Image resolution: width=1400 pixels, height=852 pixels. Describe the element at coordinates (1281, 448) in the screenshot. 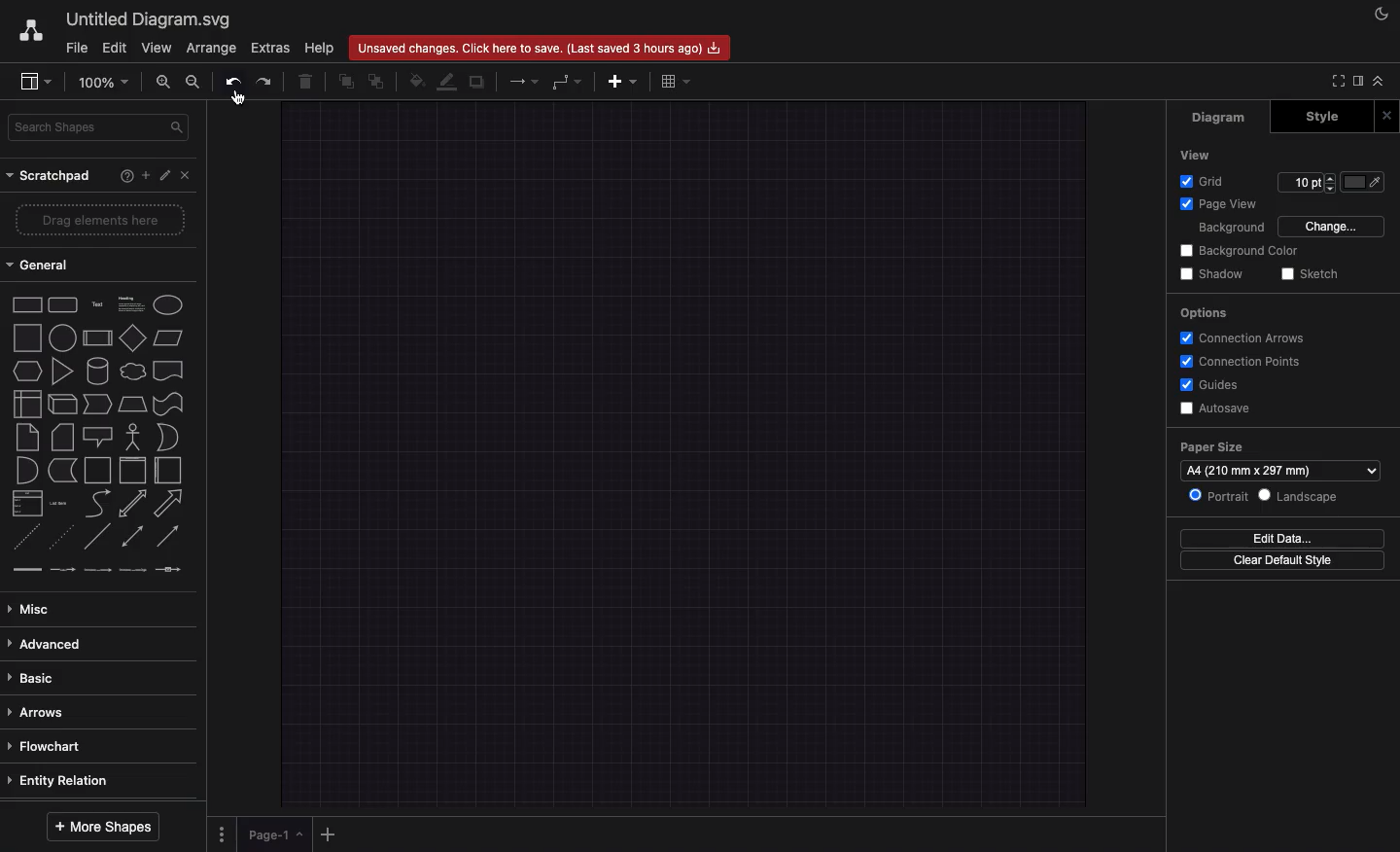

I see `Paper size` at that location.